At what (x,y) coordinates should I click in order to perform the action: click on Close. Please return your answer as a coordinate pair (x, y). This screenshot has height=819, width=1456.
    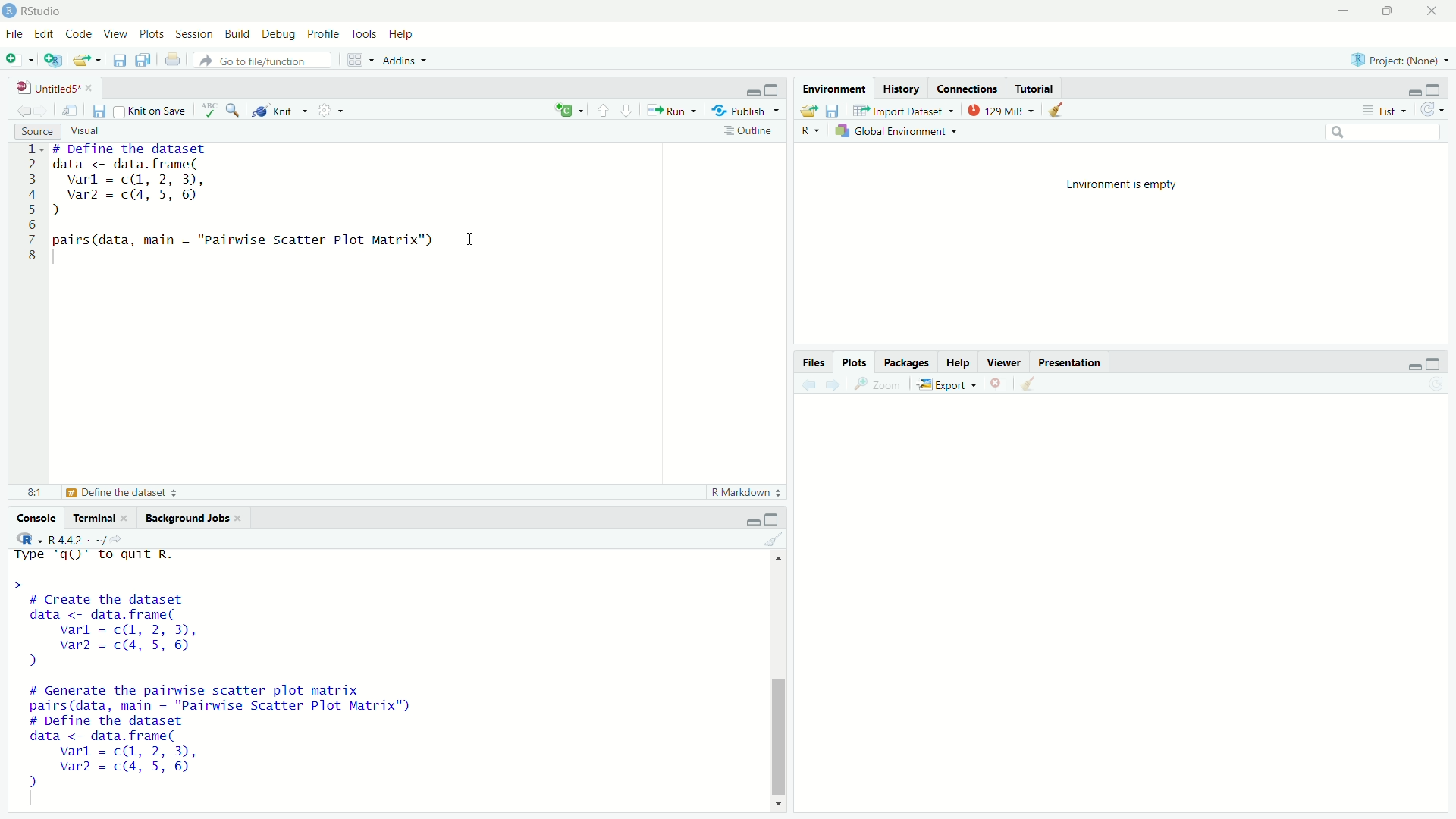
    Looking at the image, I should click on (1434, 10).